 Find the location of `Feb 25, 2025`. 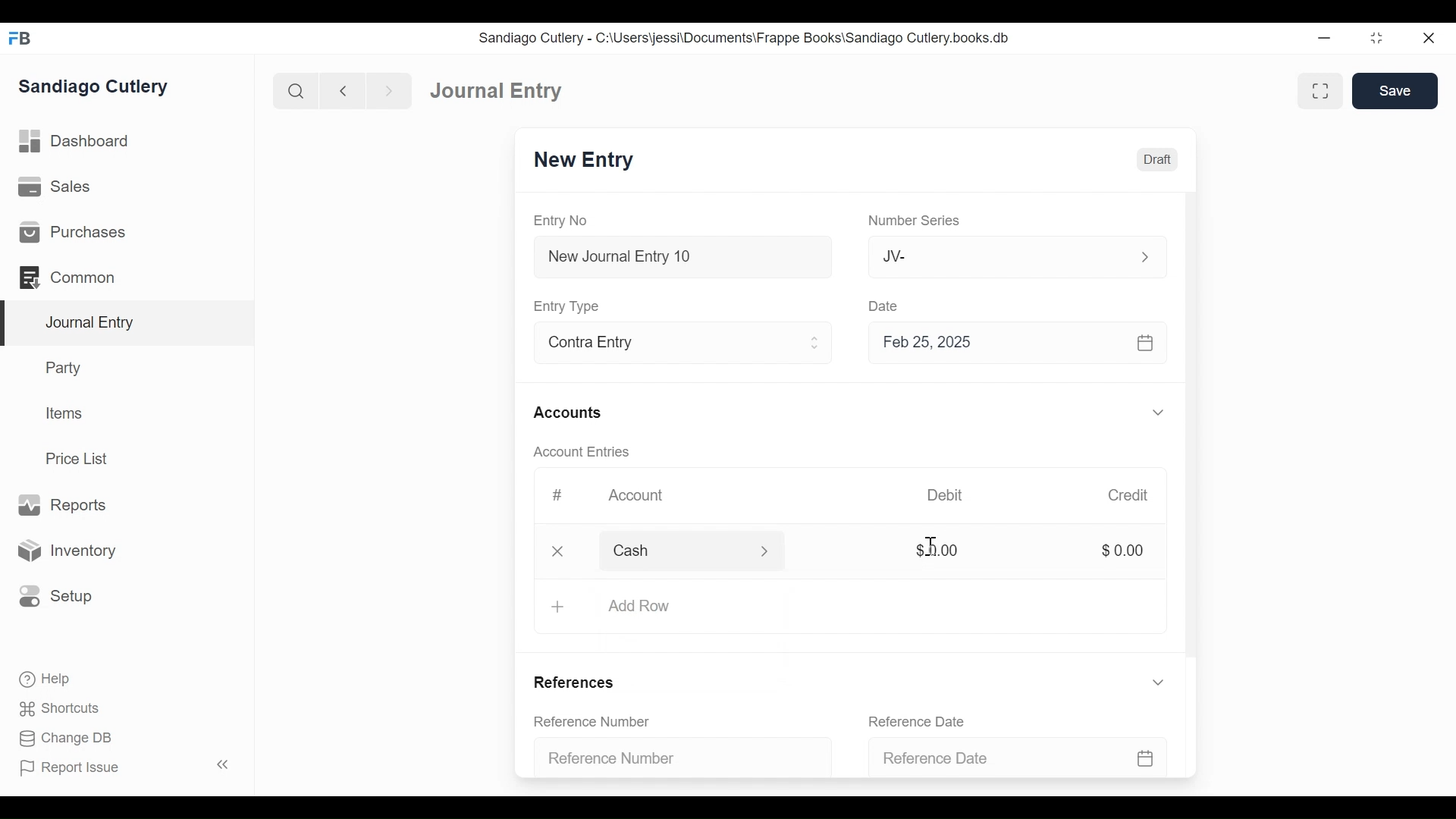

Feb 25, 2025 is located at coordinates (1019, 346).